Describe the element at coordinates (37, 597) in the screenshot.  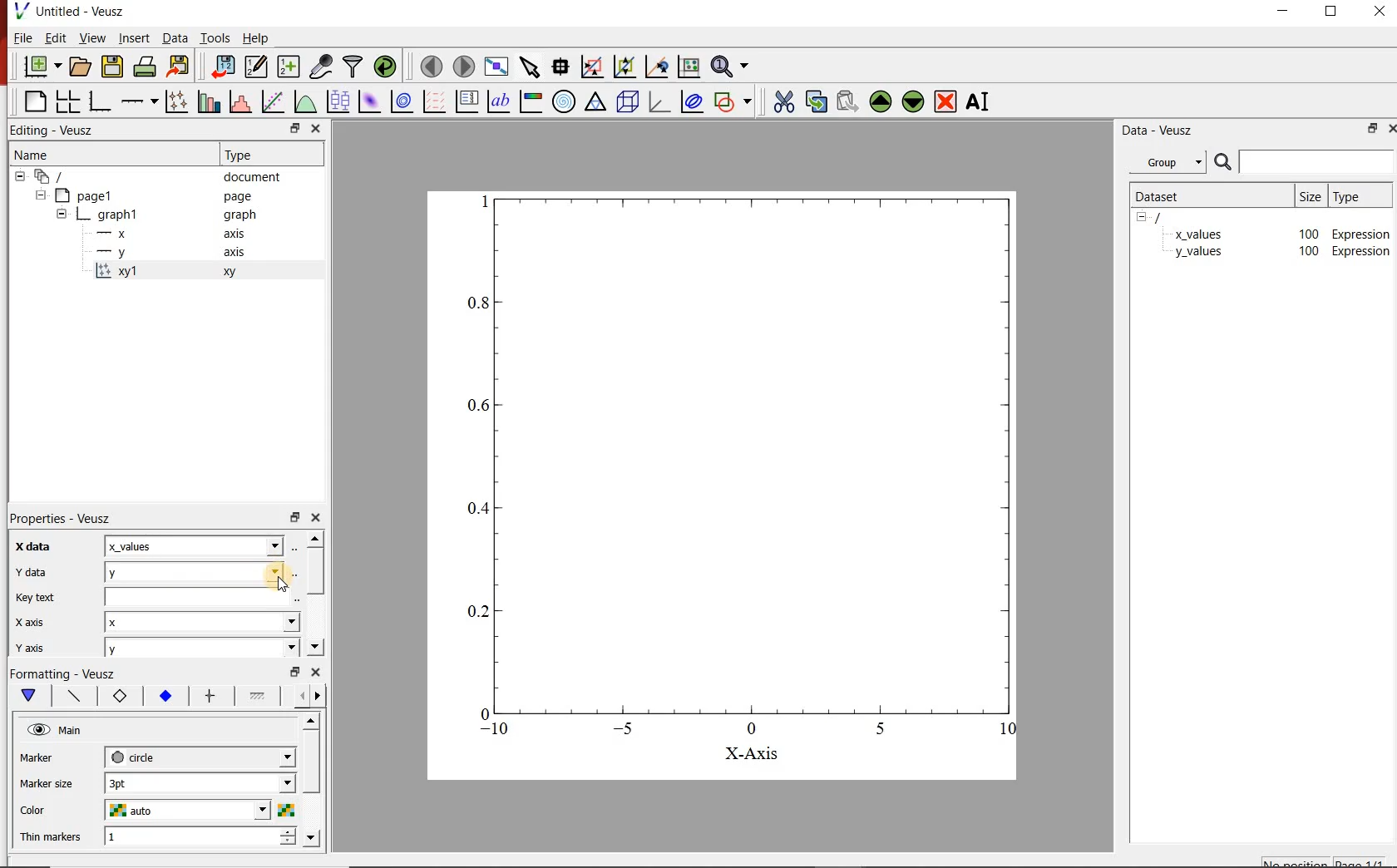
I see `Key text` at that location.